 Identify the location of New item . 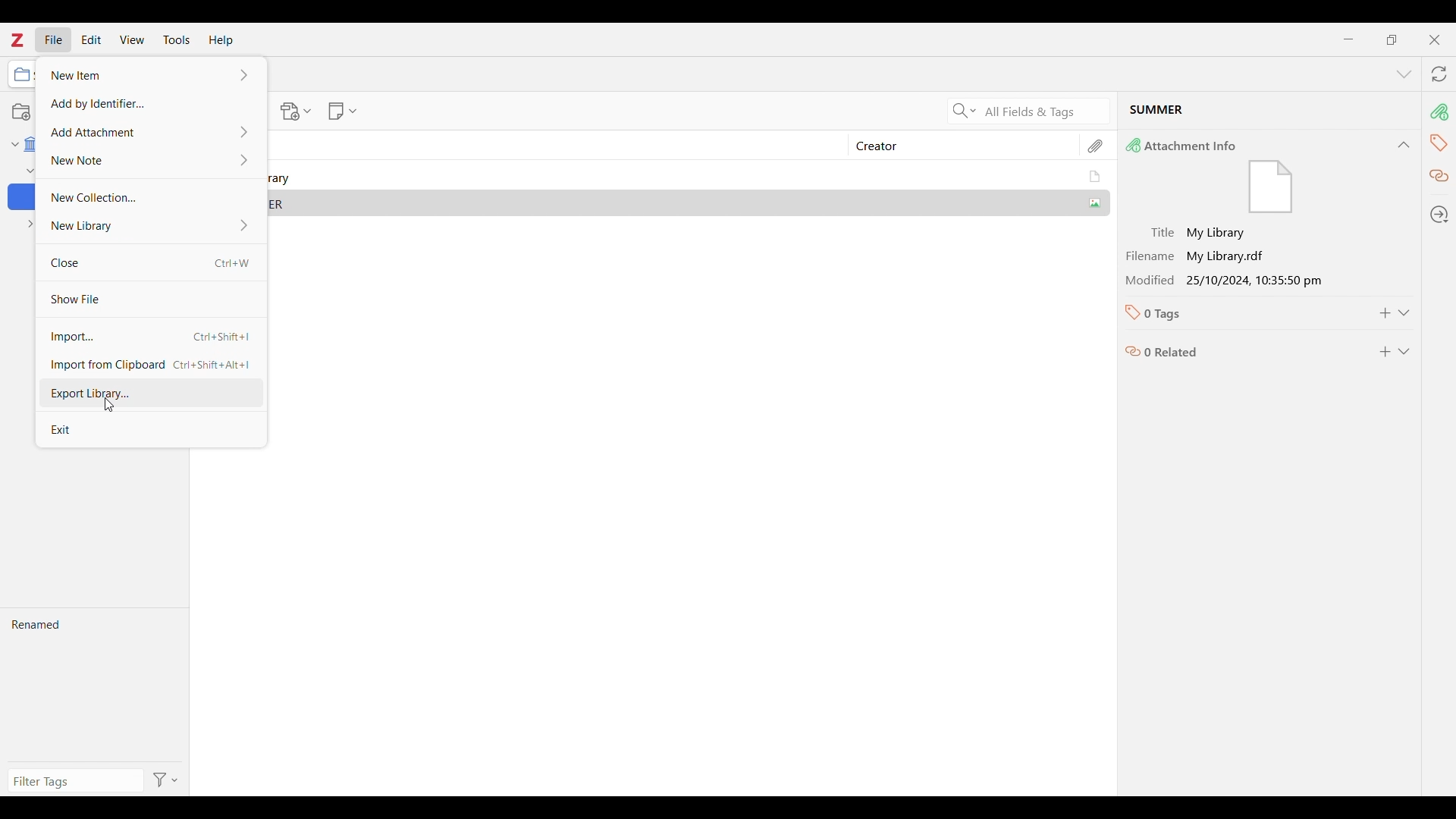
(152, 74).